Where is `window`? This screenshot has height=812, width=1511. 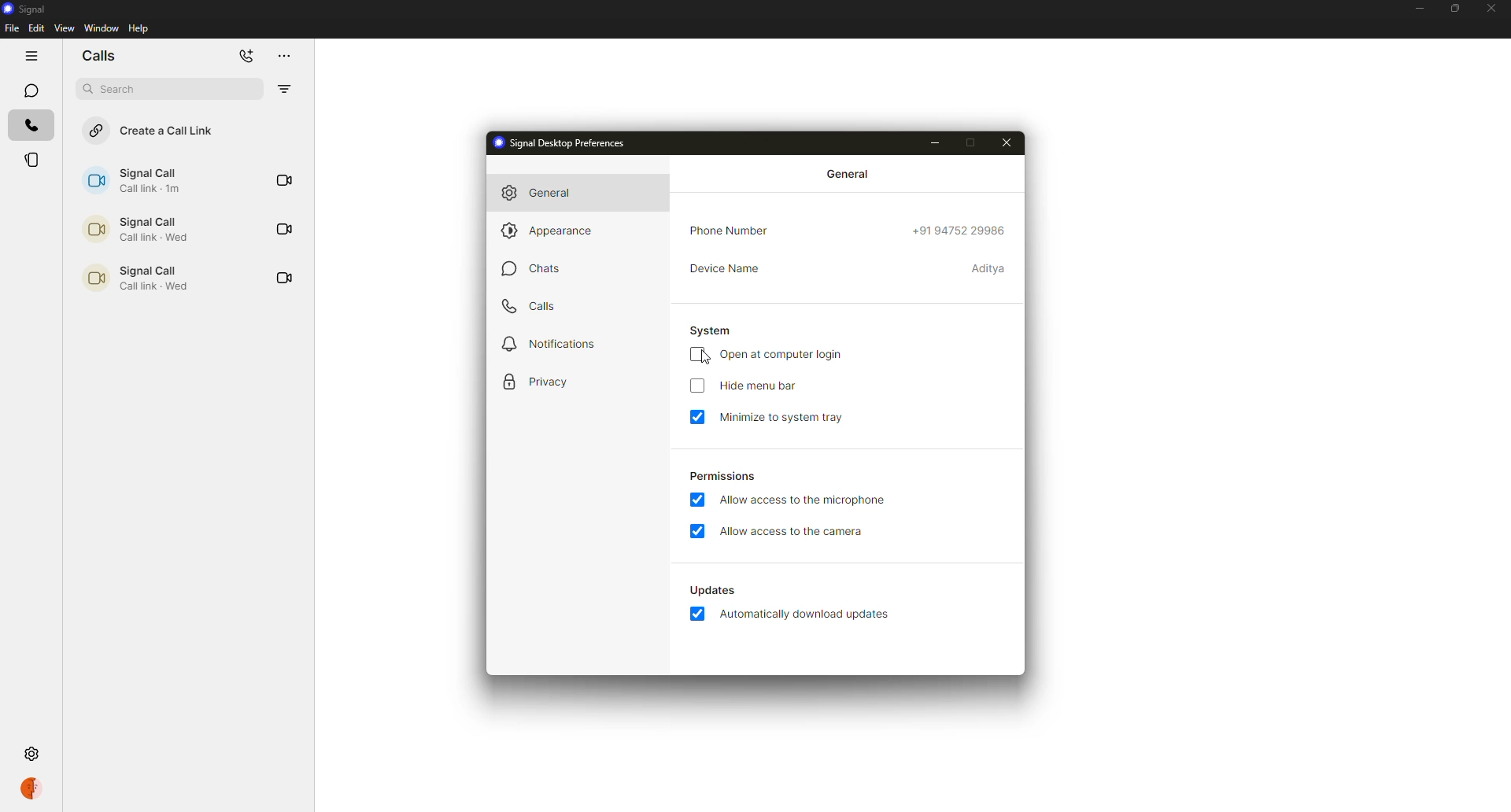 window is located at coordinates (102, 28).